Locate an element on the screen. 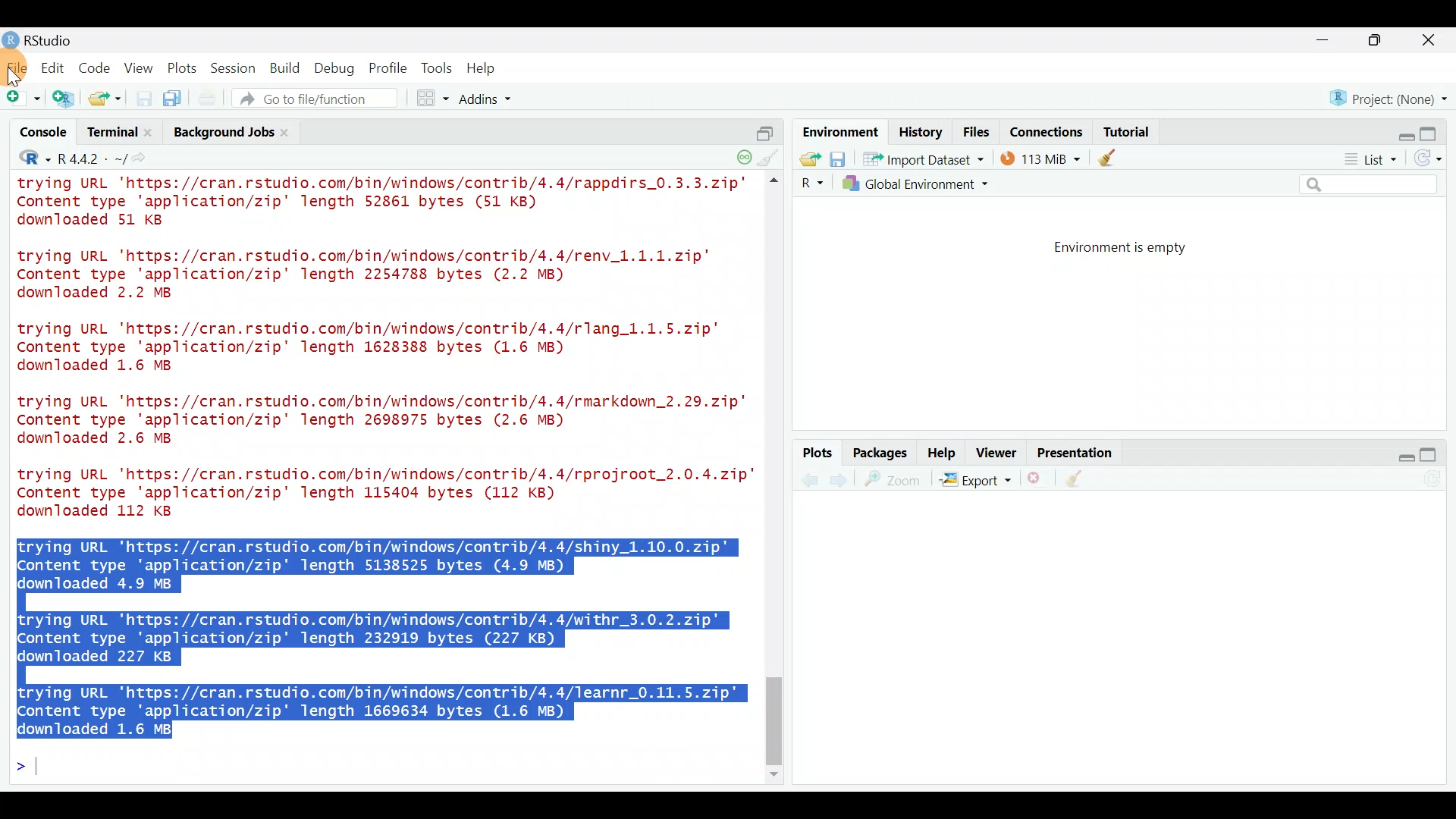 The image size is (1456, 819). Close background jobs is located at coordinates (293, 132).